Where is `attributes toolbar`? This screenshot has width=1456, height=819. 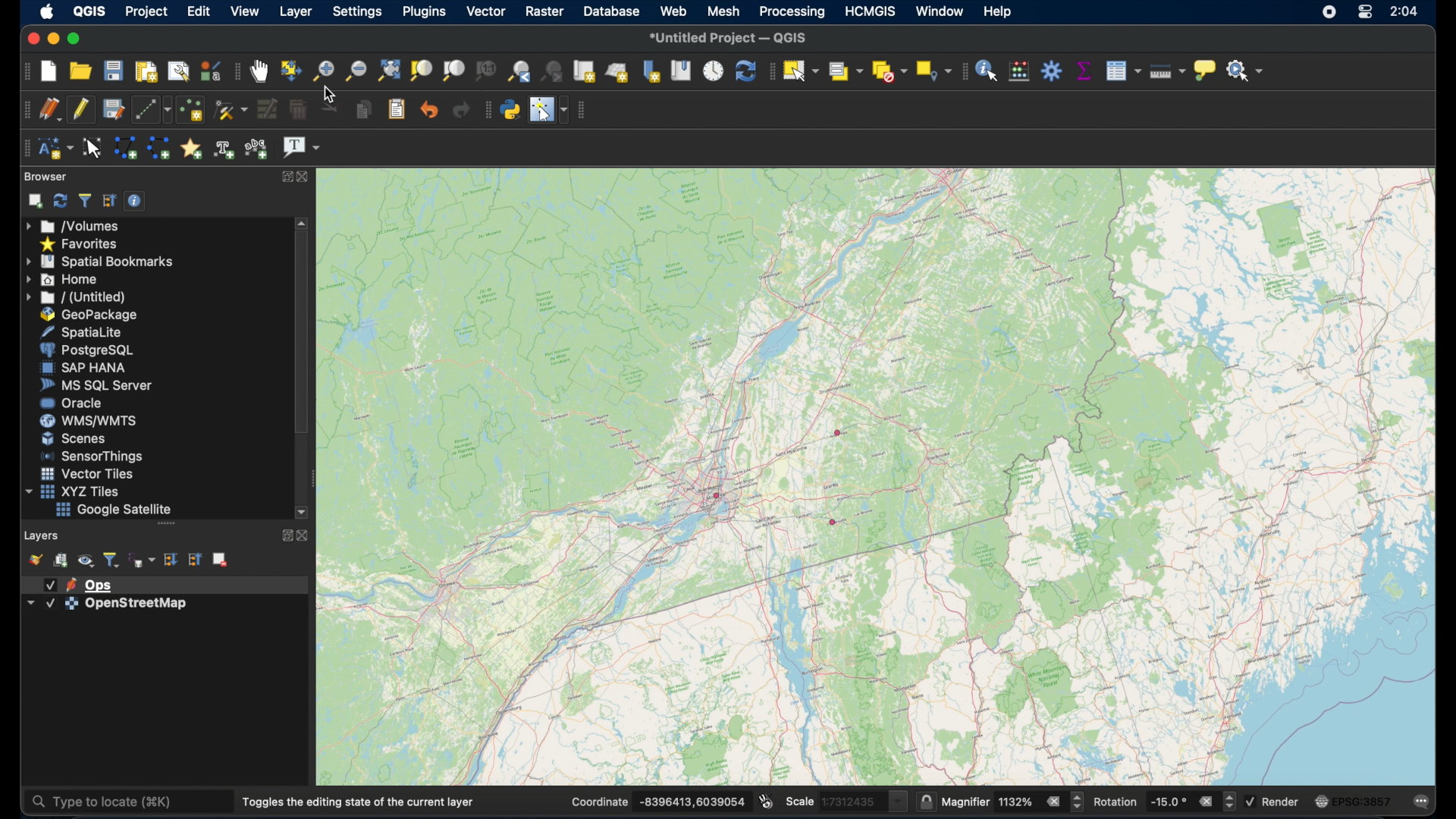
attributes toolbar is located at coordinates (964, 72).